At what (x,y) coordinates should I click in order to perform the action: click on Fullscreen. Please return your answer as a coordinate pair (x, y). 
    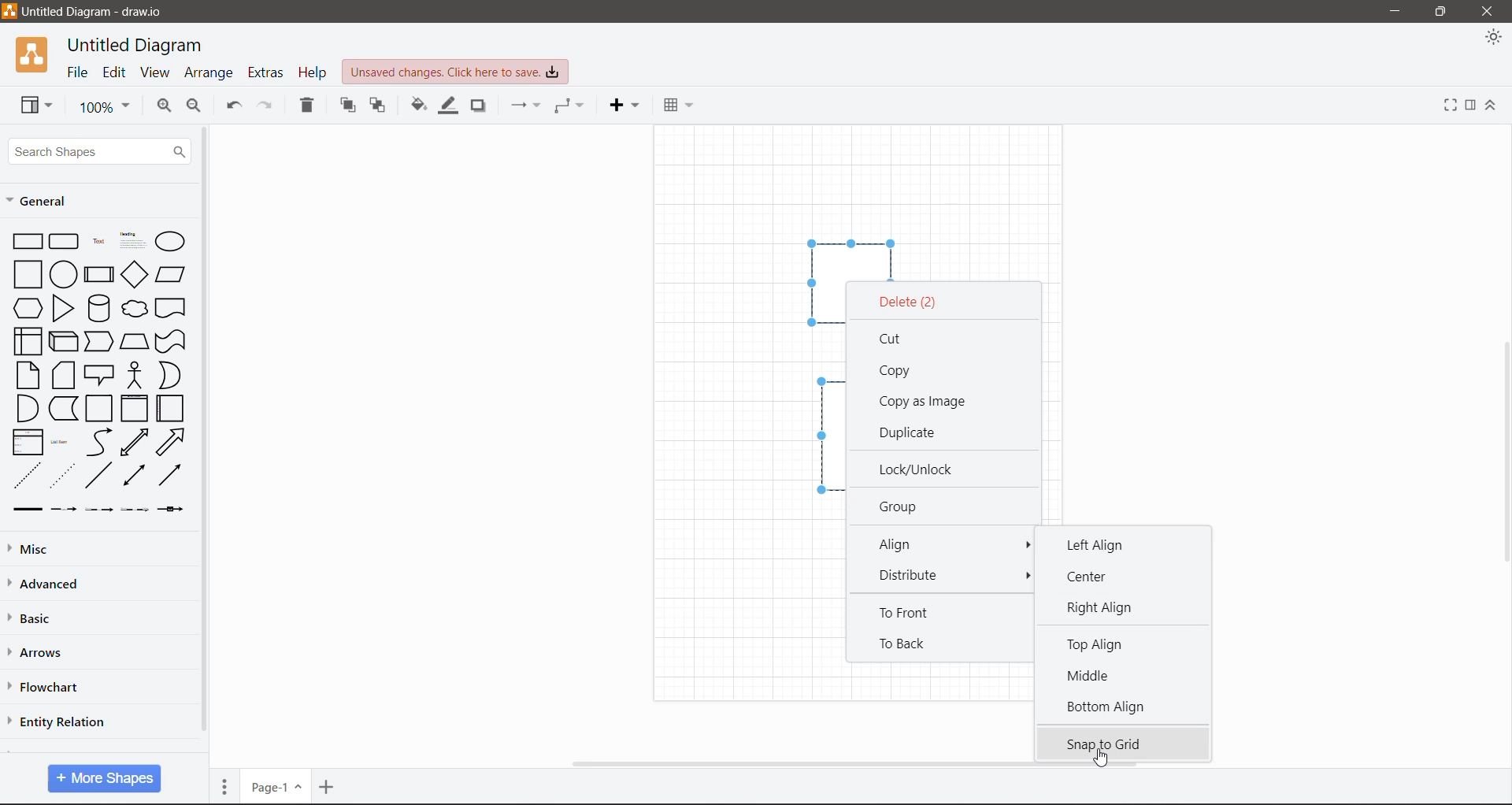
    Looking at the image, I should click on (1450, 105).